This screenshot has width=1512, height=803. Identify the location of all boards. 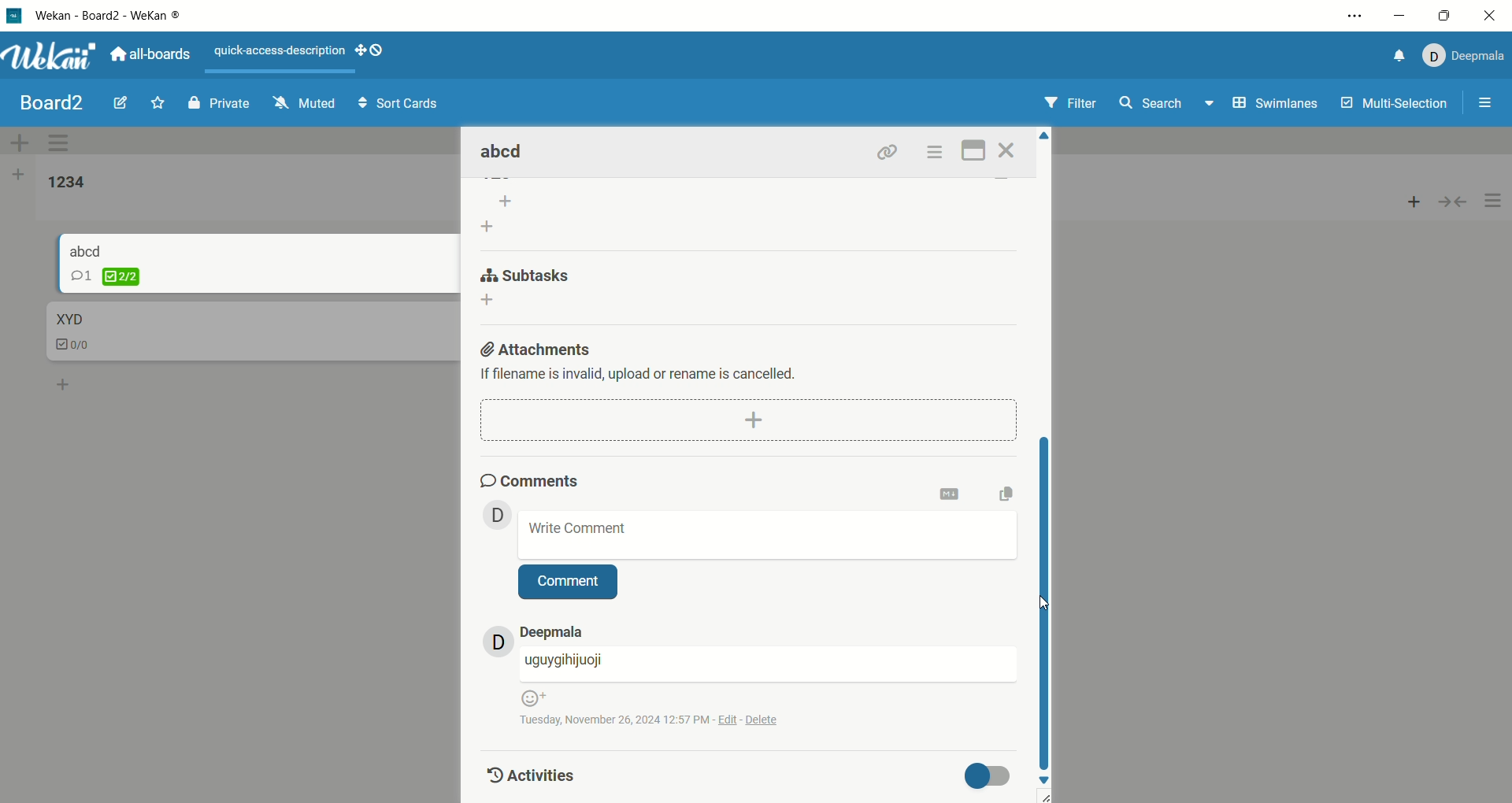
(150, 53).